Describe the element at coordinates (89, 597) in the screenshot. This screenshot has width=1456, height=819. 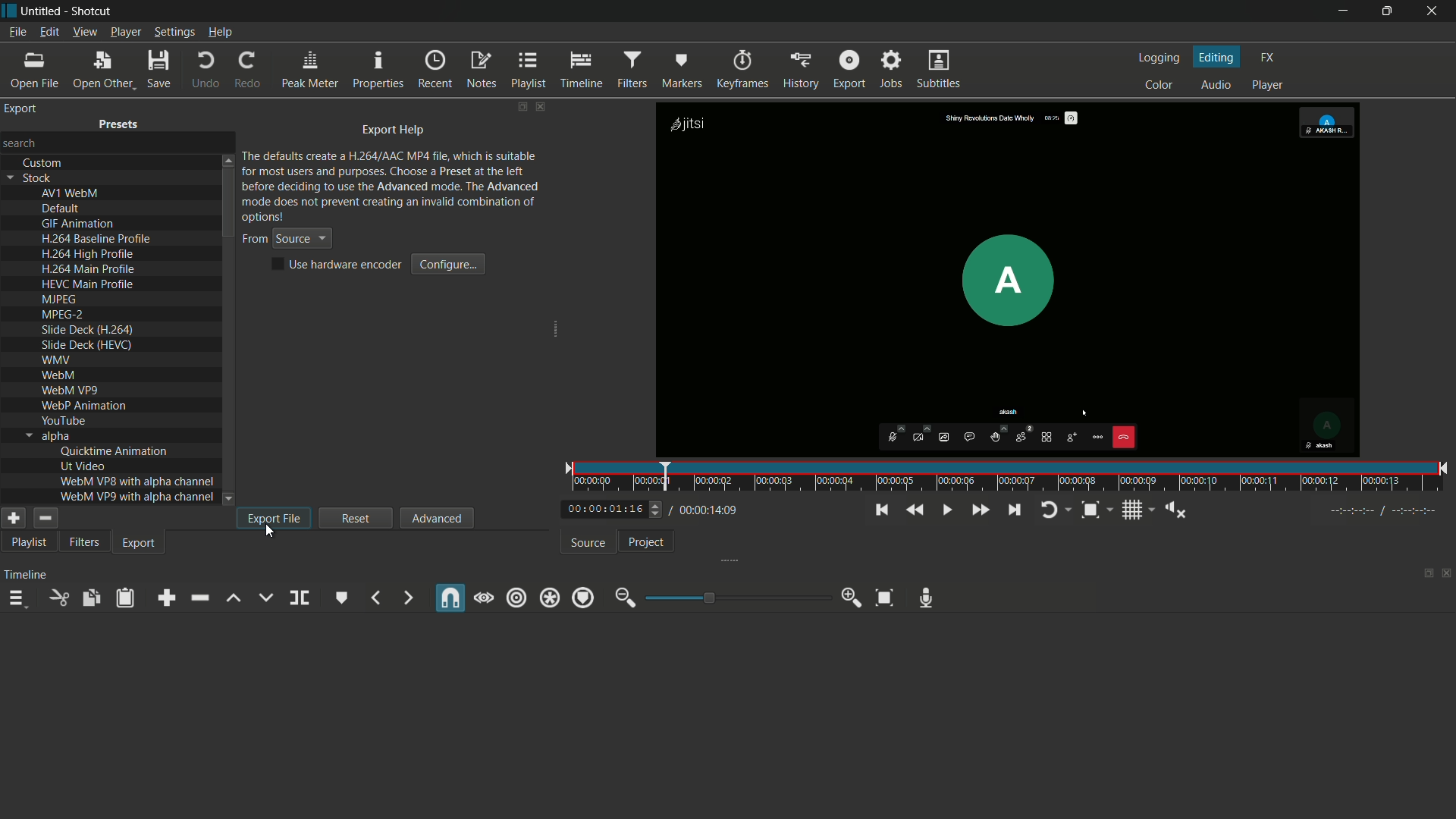
I see `copy checked filters` at that location.